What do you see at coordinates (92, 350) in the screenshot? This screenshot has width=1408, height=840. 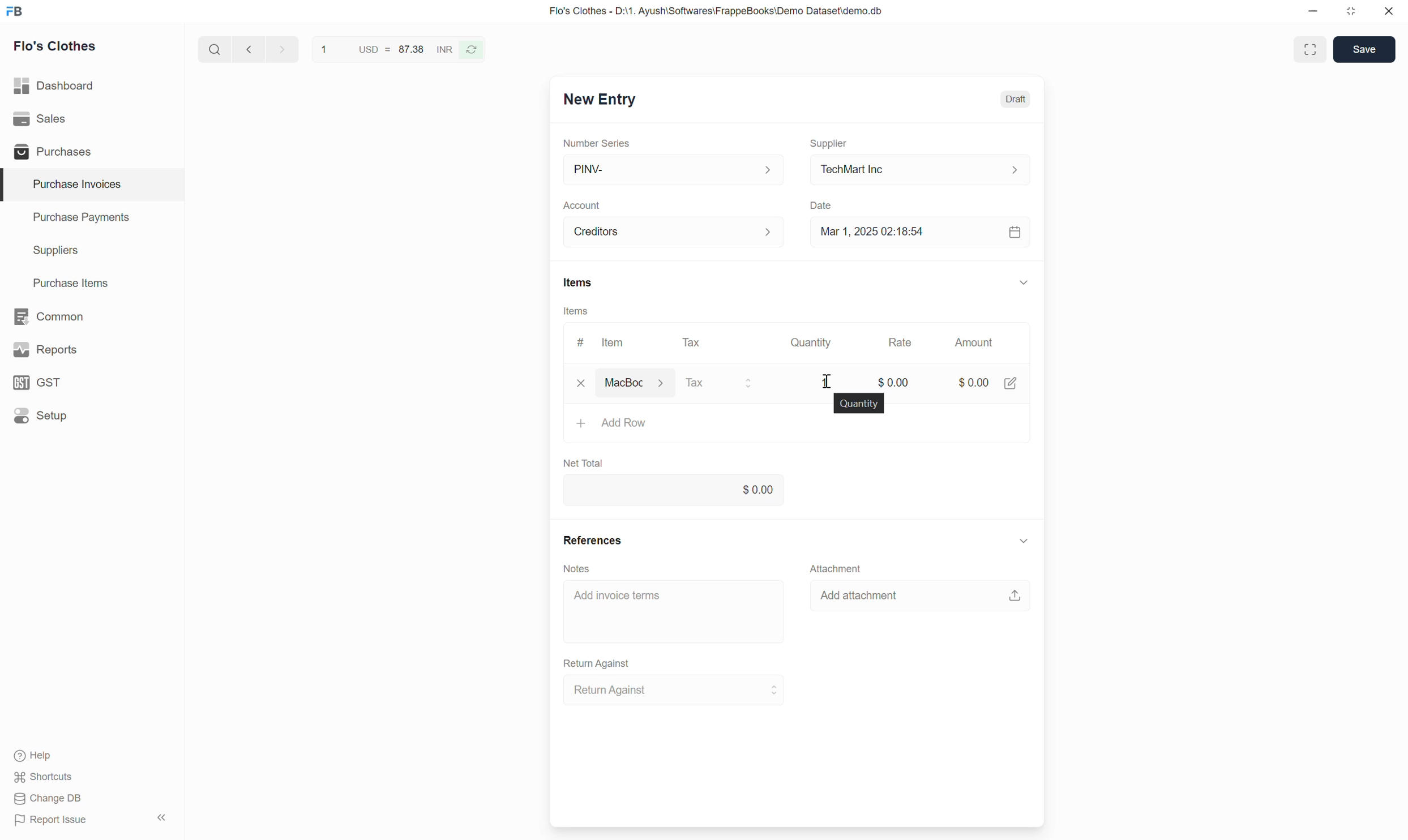 I see `Reports` at bounding box center [92, 350].